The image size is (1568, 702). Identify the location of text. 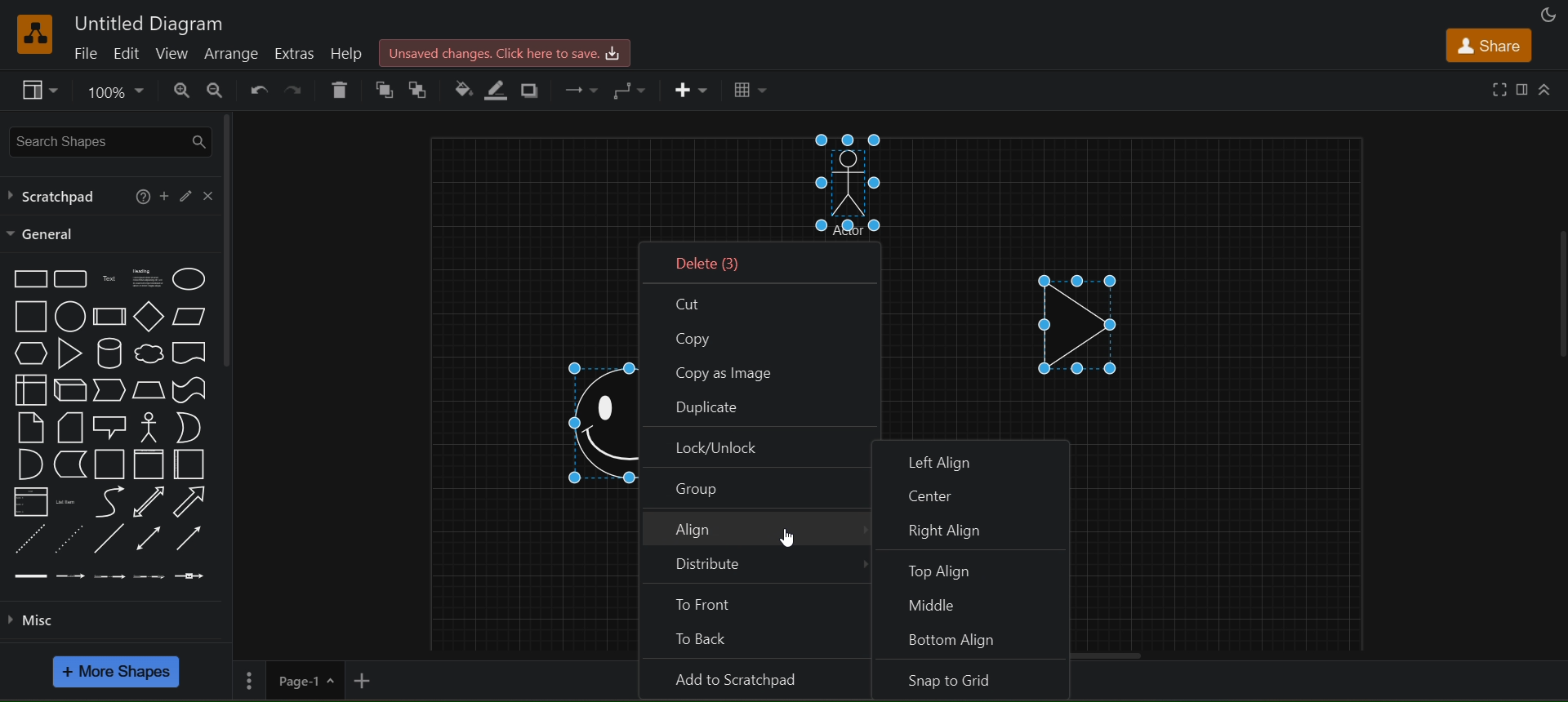
(107, 280).